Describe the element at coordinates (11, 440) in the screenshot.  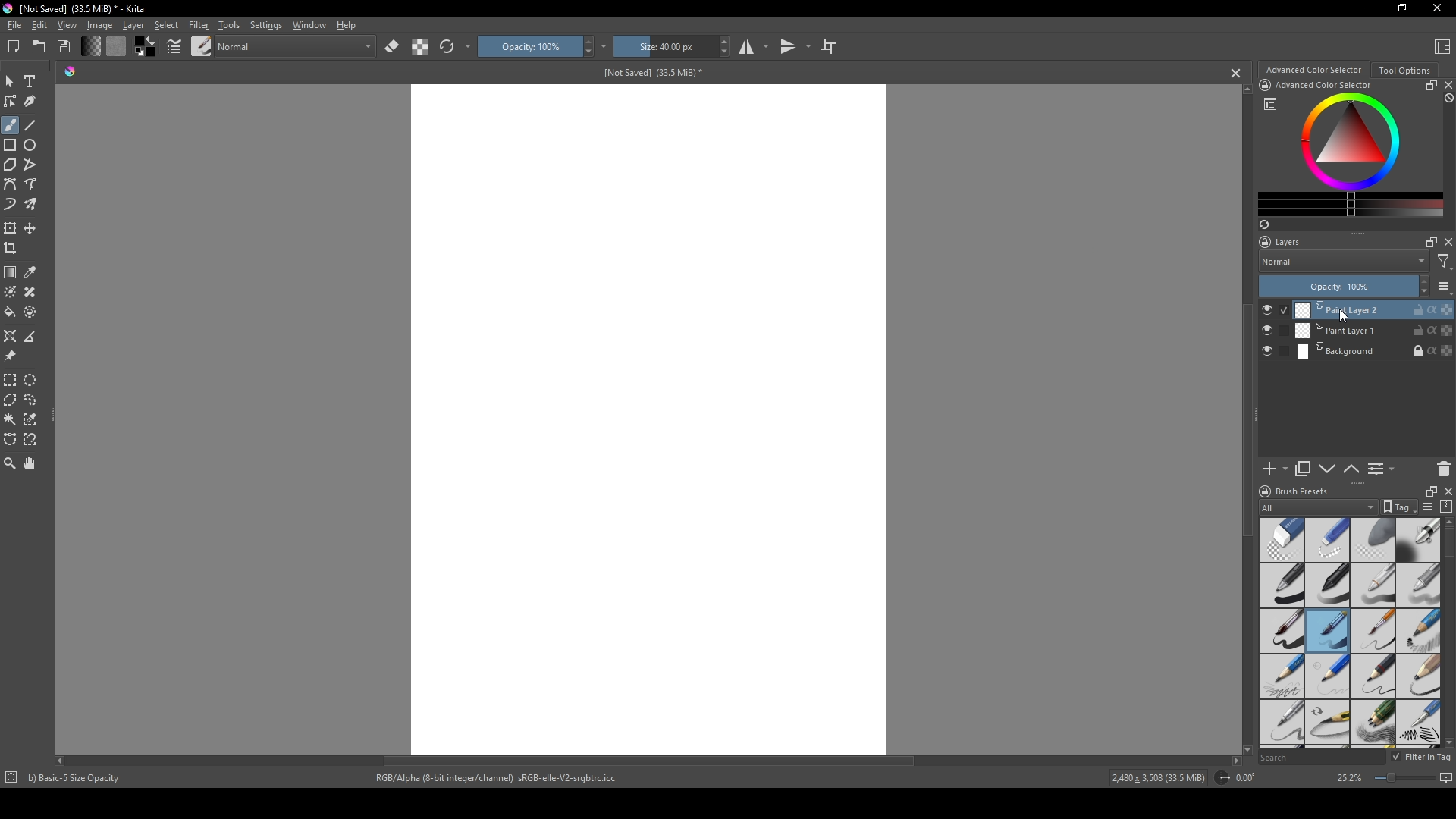
I see `bezier curve` at that location.